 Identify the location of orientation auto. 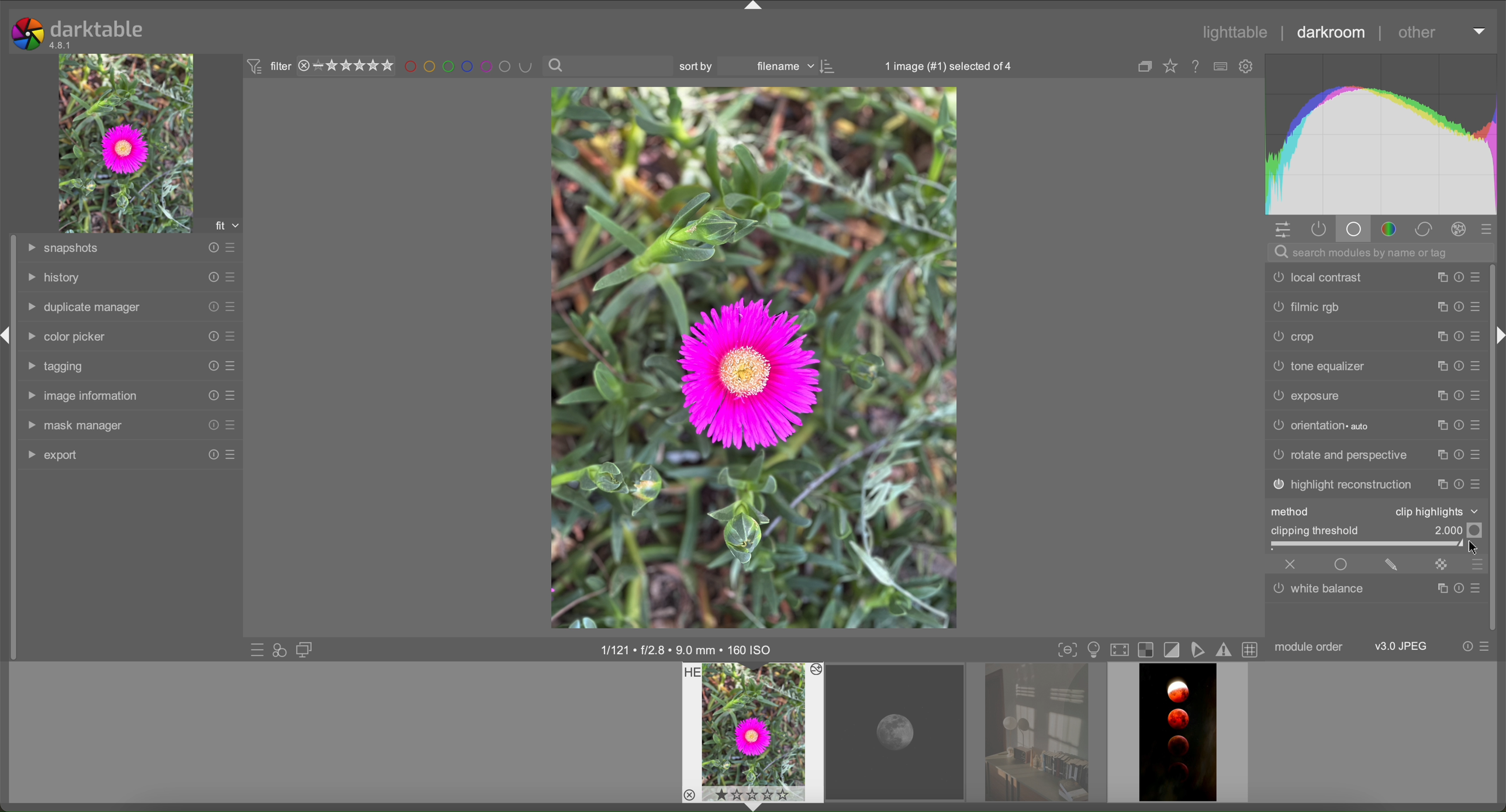
(1320, 424).